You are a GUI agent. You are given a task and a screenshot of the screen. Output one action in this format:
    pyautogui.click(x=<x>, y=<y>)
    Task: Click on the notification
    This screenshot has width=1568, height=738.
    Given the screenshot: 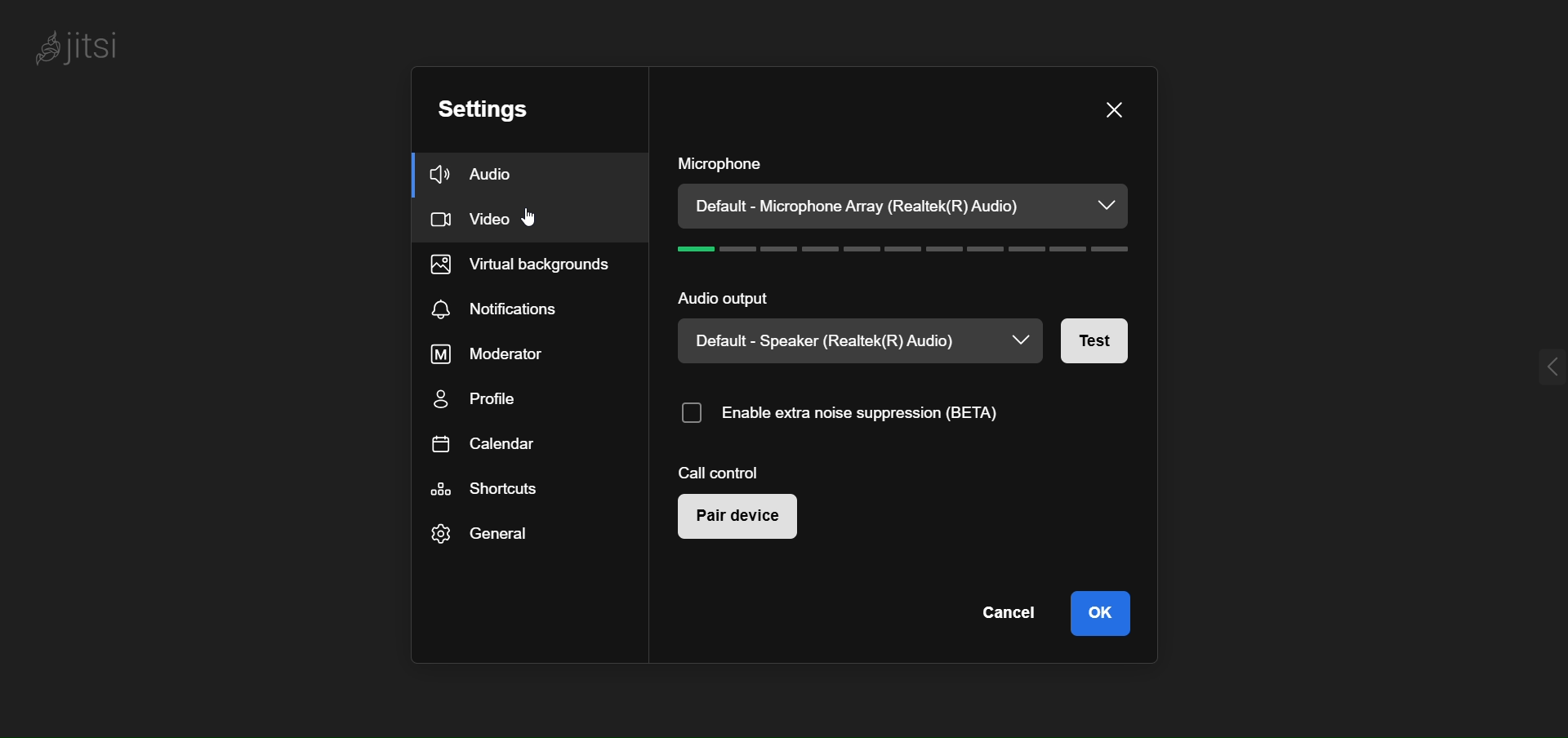 What is the action you would take?
    pyautogui.click(x=496, y=308)
    